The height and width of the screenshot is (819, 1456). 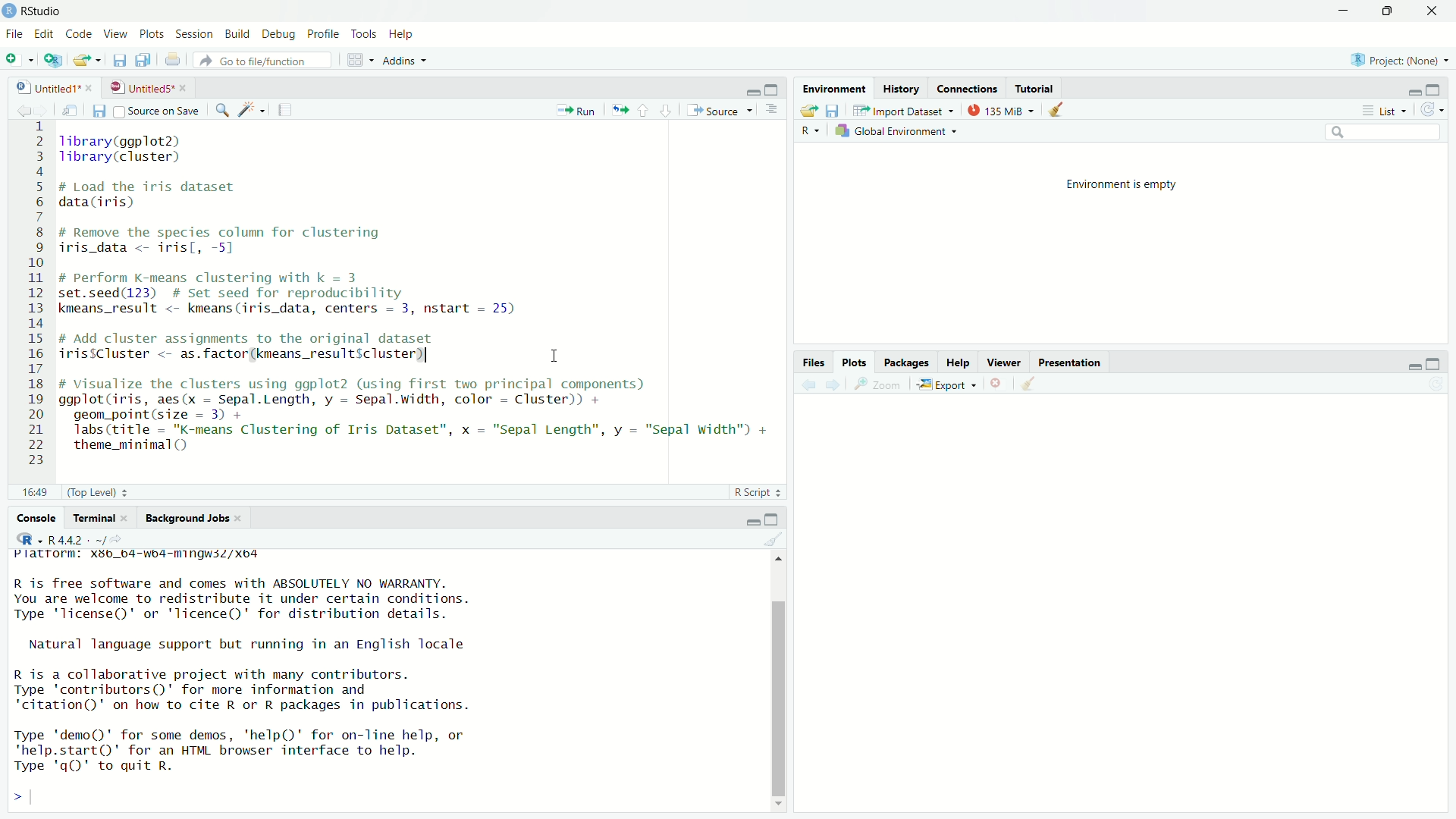 I want to click on minimize, so click(x=750, y=519).